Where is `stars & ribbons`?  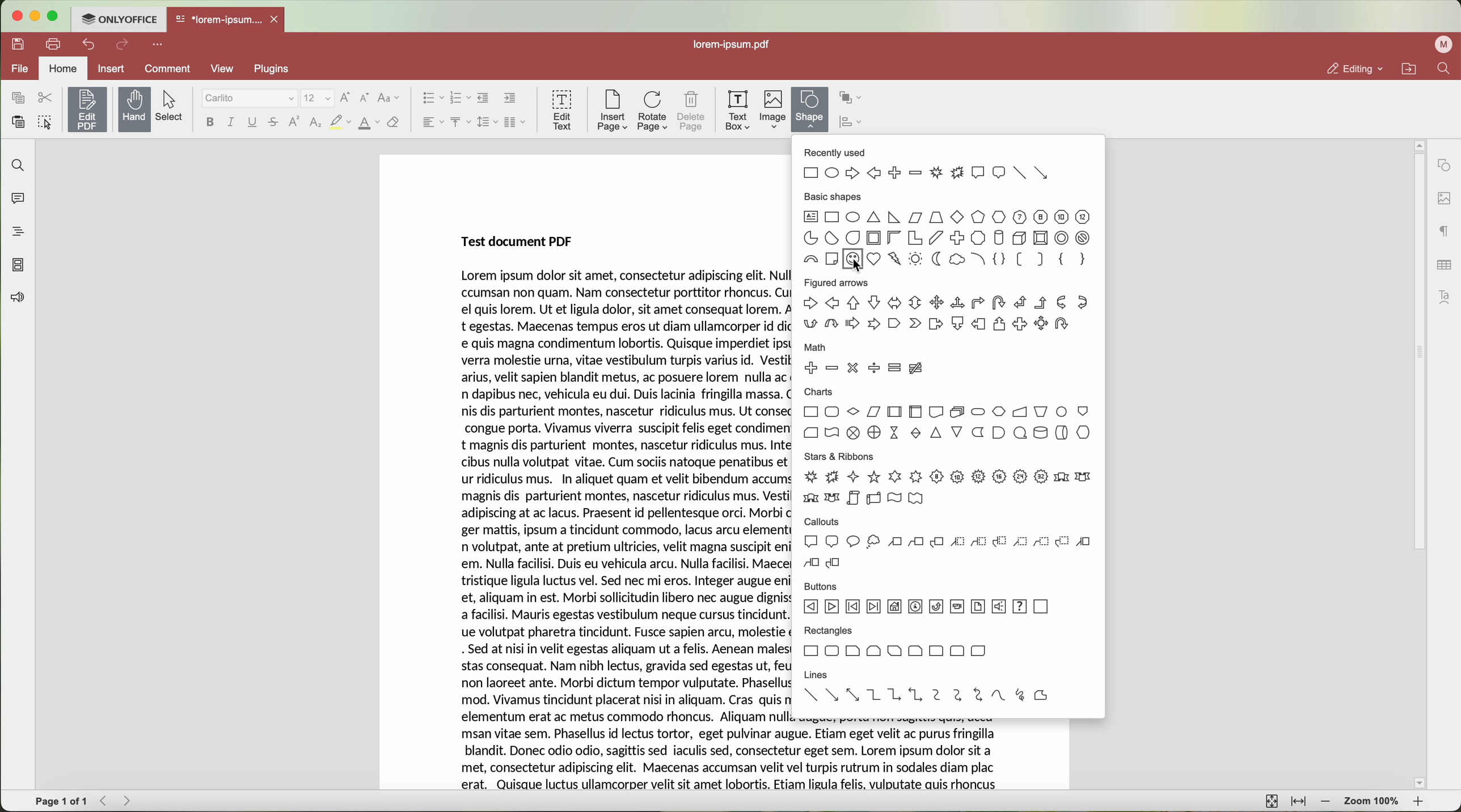
stars & ribbons is located at coordinates (947, 479).